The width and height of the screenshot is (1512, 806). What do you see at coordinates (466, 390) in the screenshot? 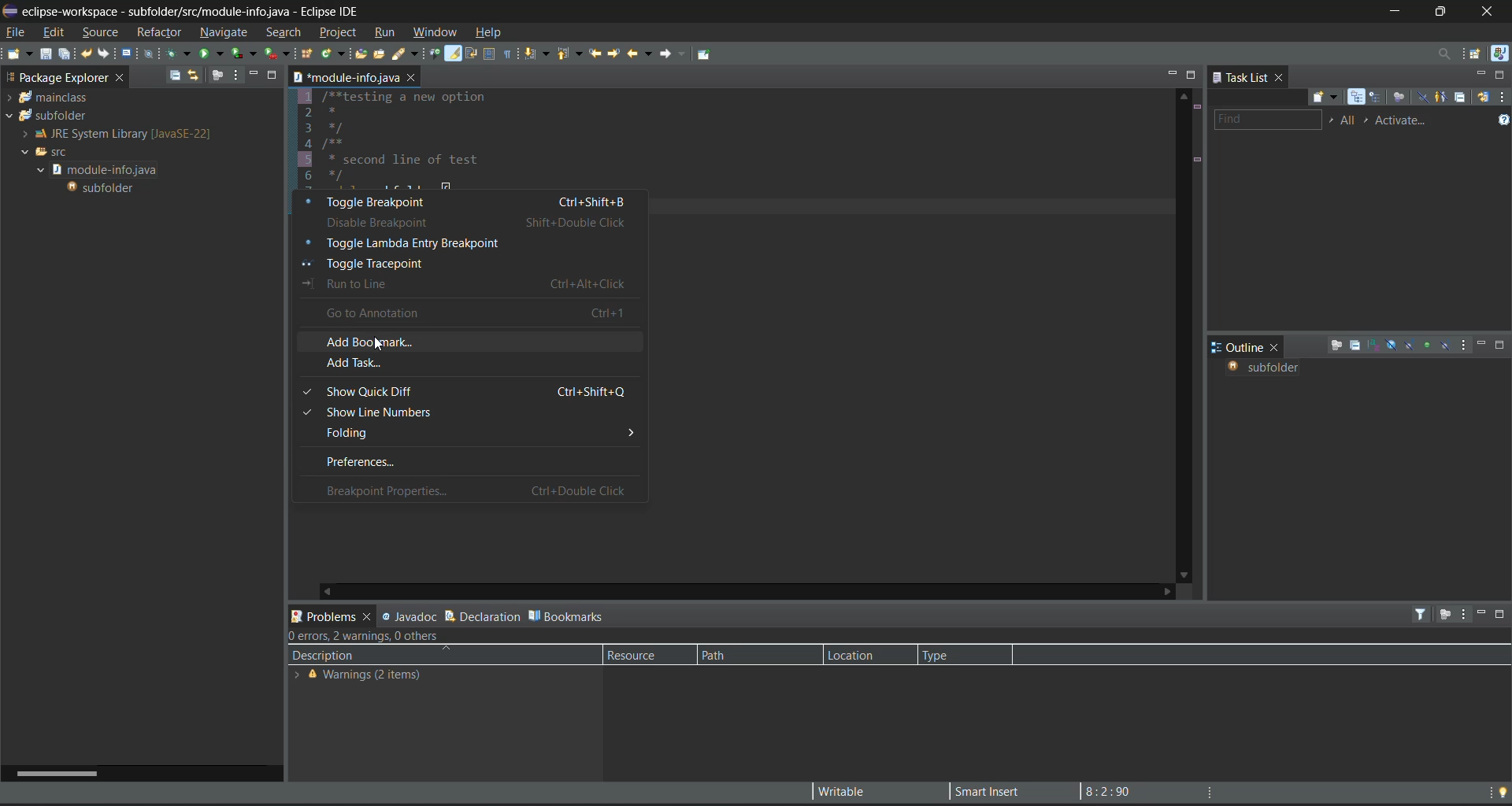
I see `show quick diff` at bounding box center [466, 390].